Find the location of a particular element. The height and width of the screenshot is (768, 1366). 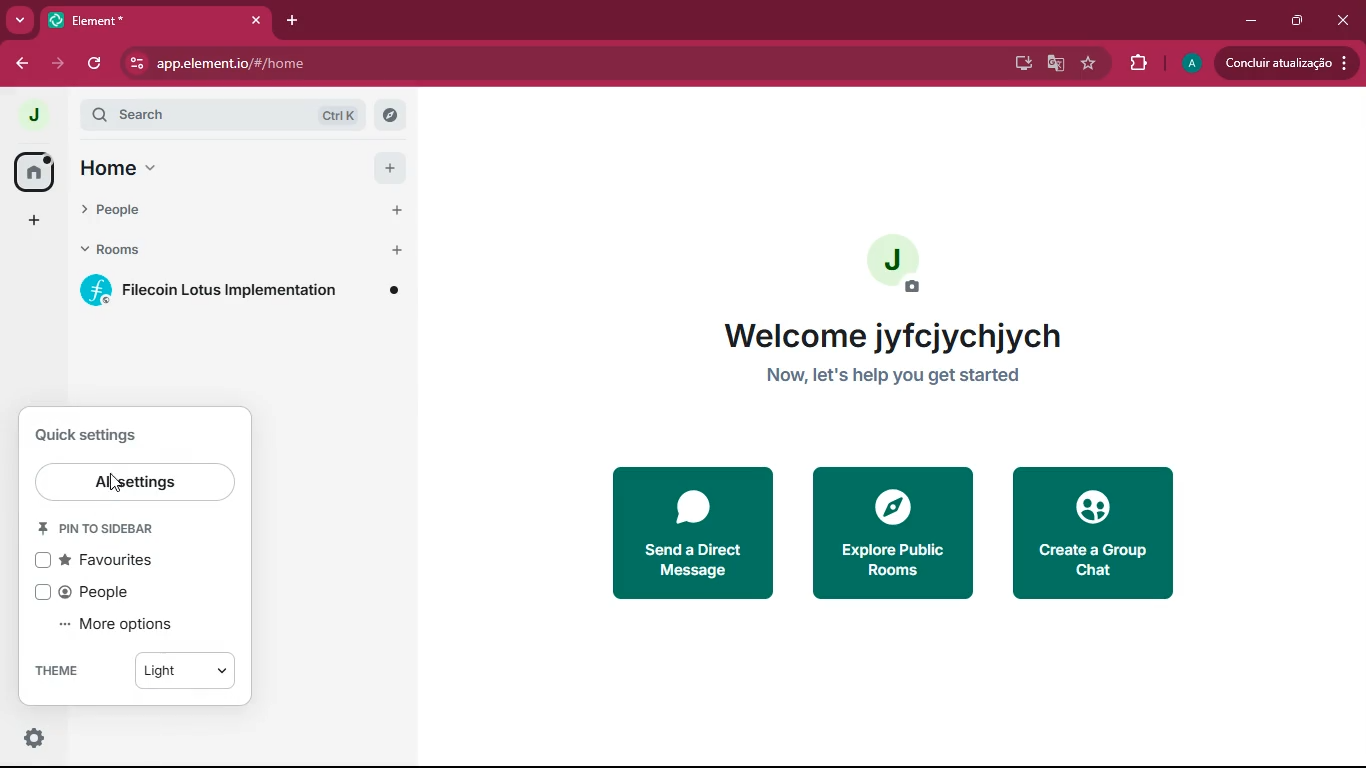

now let's help you get started is located at coordinates (894, 376).